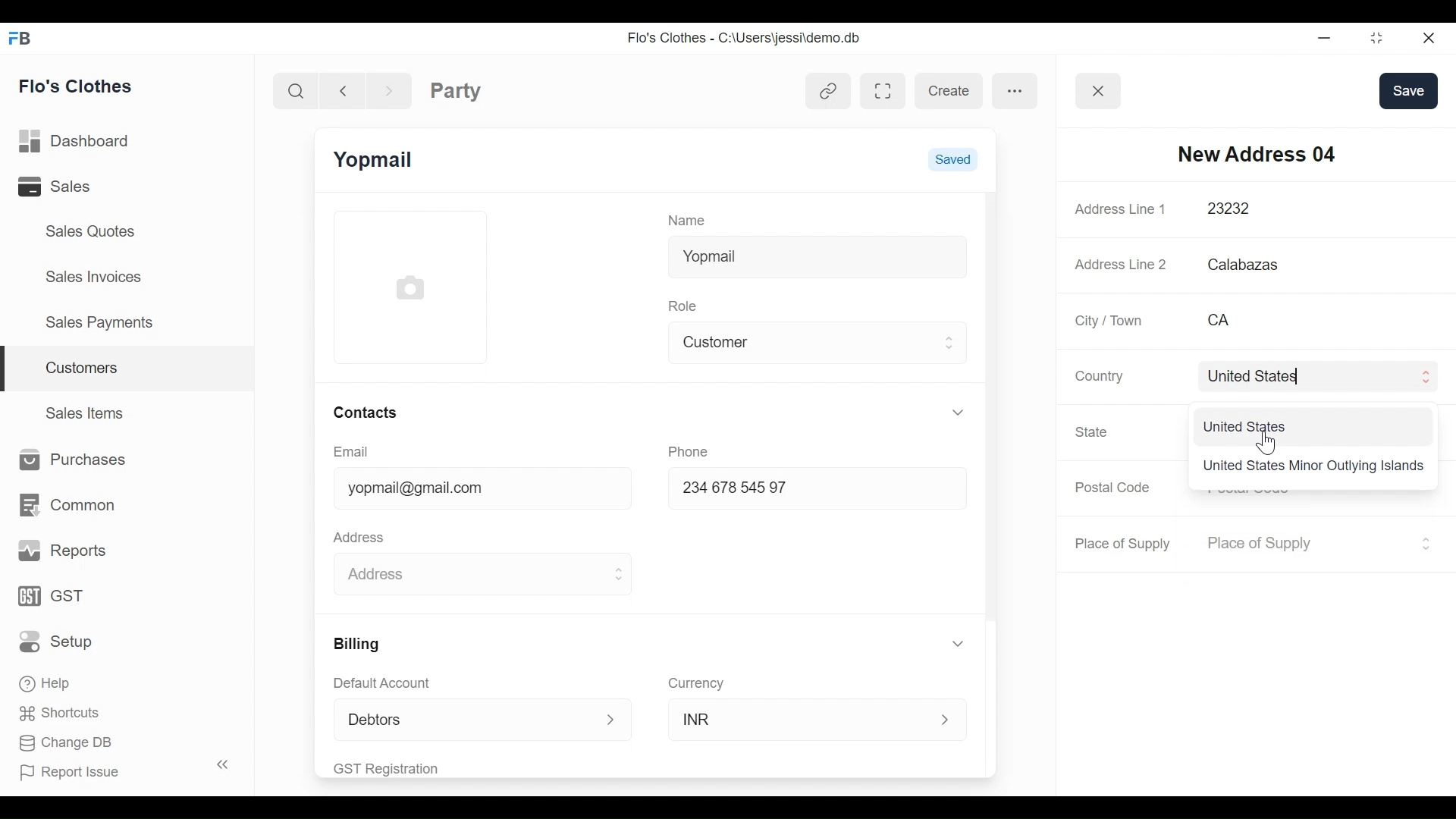 This screenshot has width=1456, height=819. Describe the element at coordinates (469, 490) in the screenshot. I see `yopmail@gmail.com` at that location.